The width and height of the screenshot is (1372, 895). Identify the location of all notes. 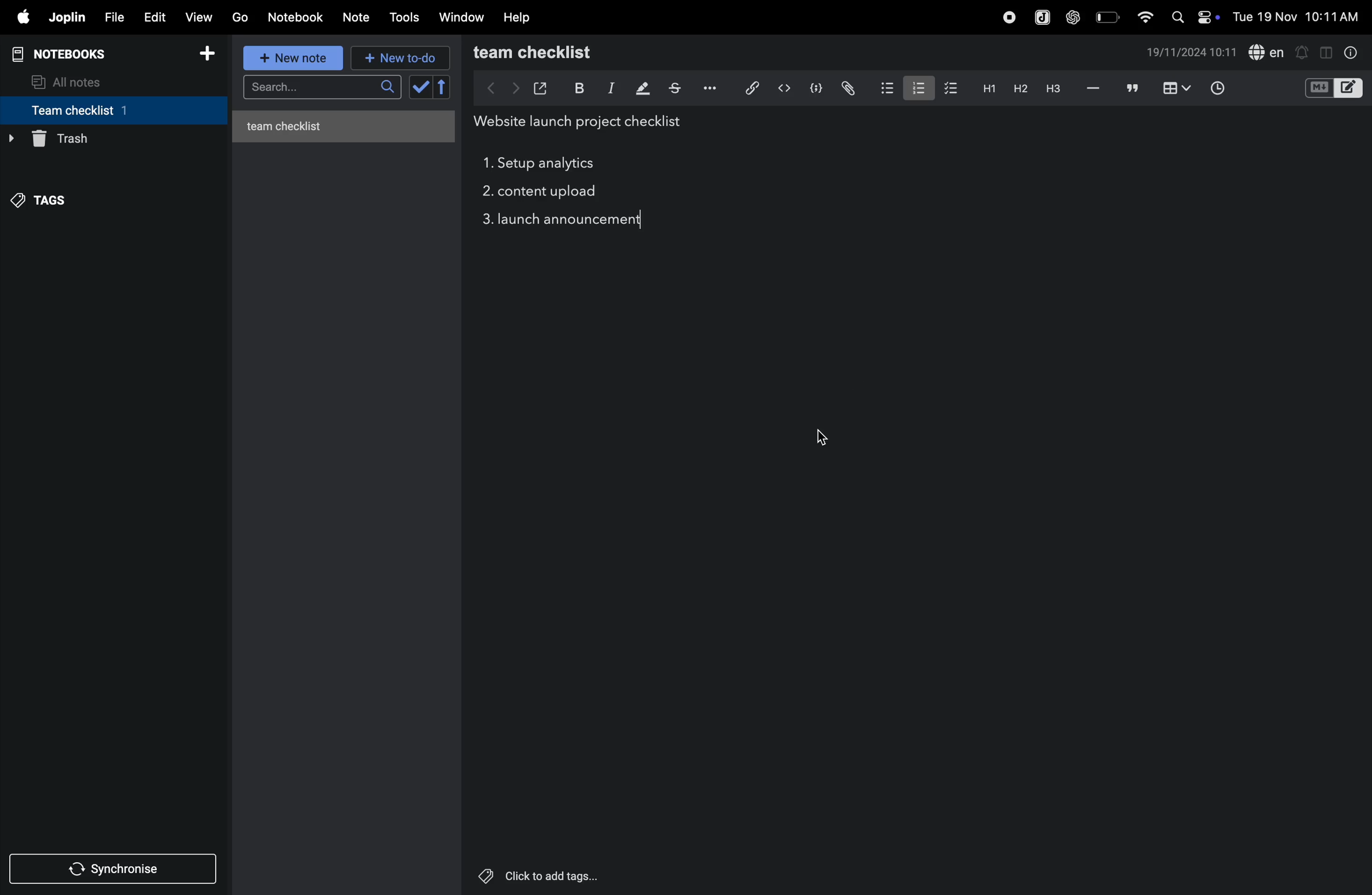
(76, 81).